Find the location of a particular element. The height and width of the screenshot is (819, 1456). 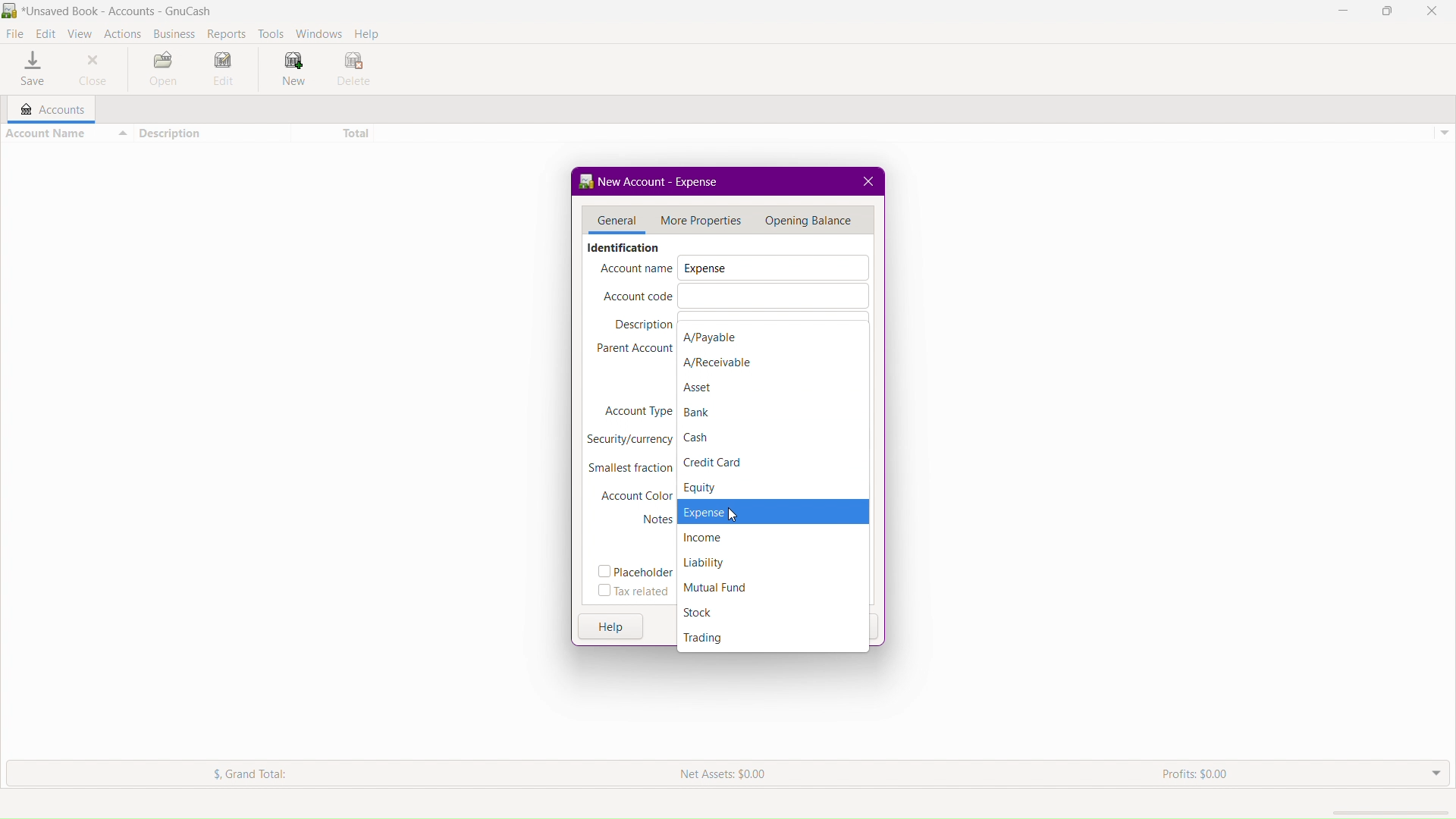

A/Receivable is located at coordinates (730, 362).